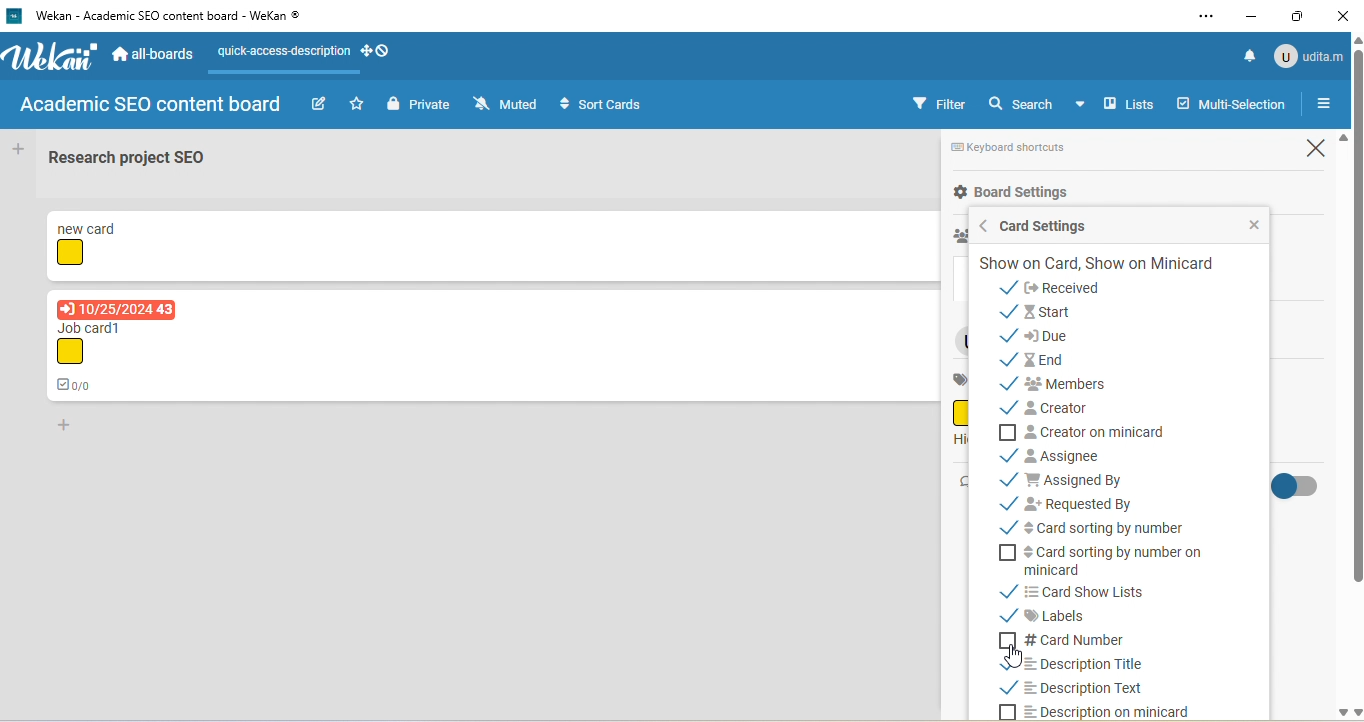 This screenshot has width=1364, height=722. What do you see at coordinates (72, 254) in the screenshot?
I see `yellow shape` at bounding box center [72, 254].